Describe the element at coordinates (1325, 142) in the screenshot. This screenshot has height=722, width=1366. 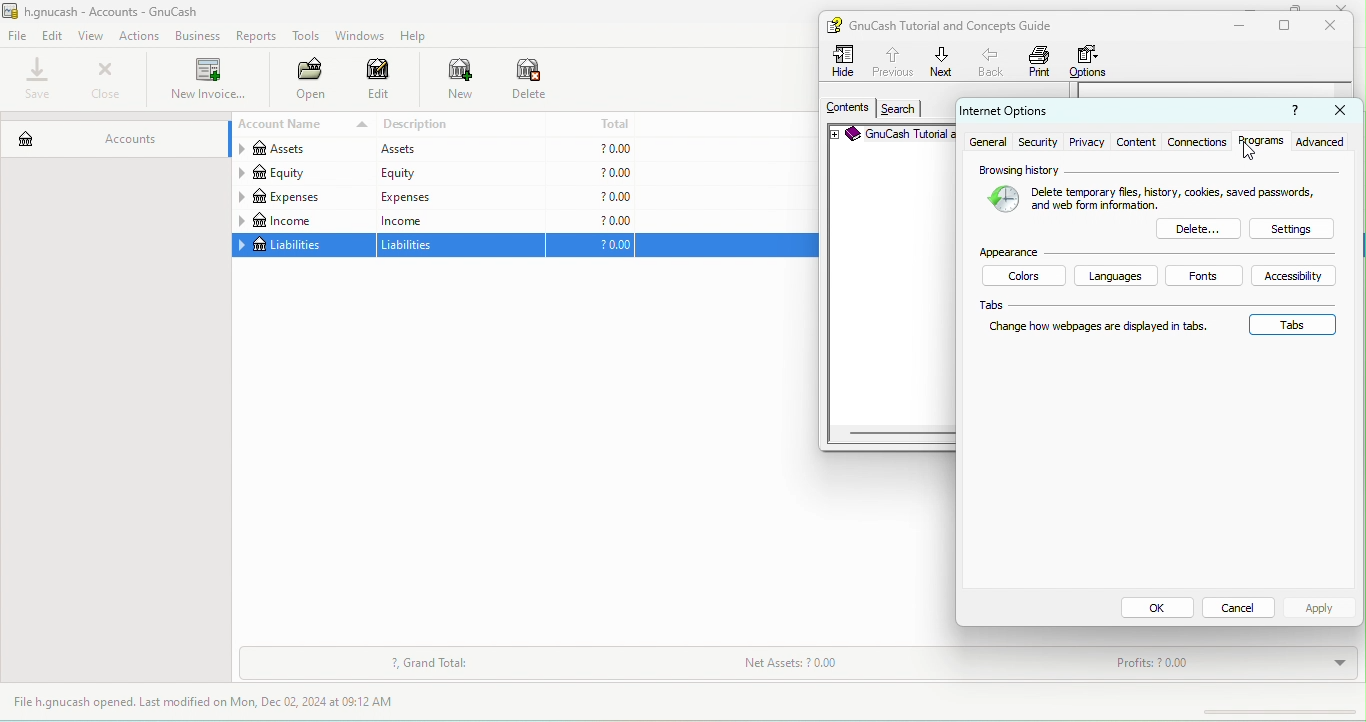
I see `advanced` at that location.